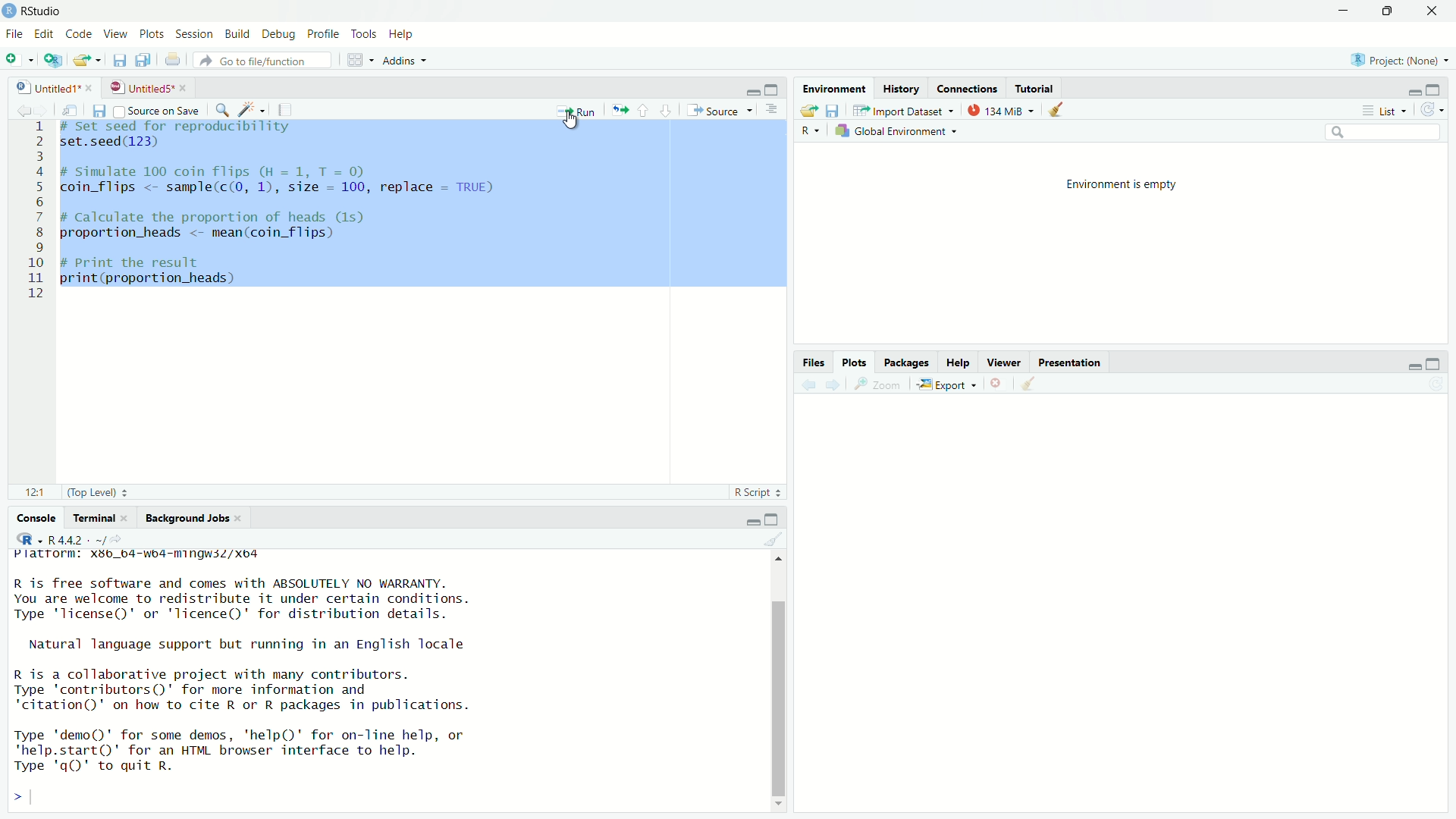 This screenshot has height=819, width=1456. I want to click on hide document outline, so click(776, 110).